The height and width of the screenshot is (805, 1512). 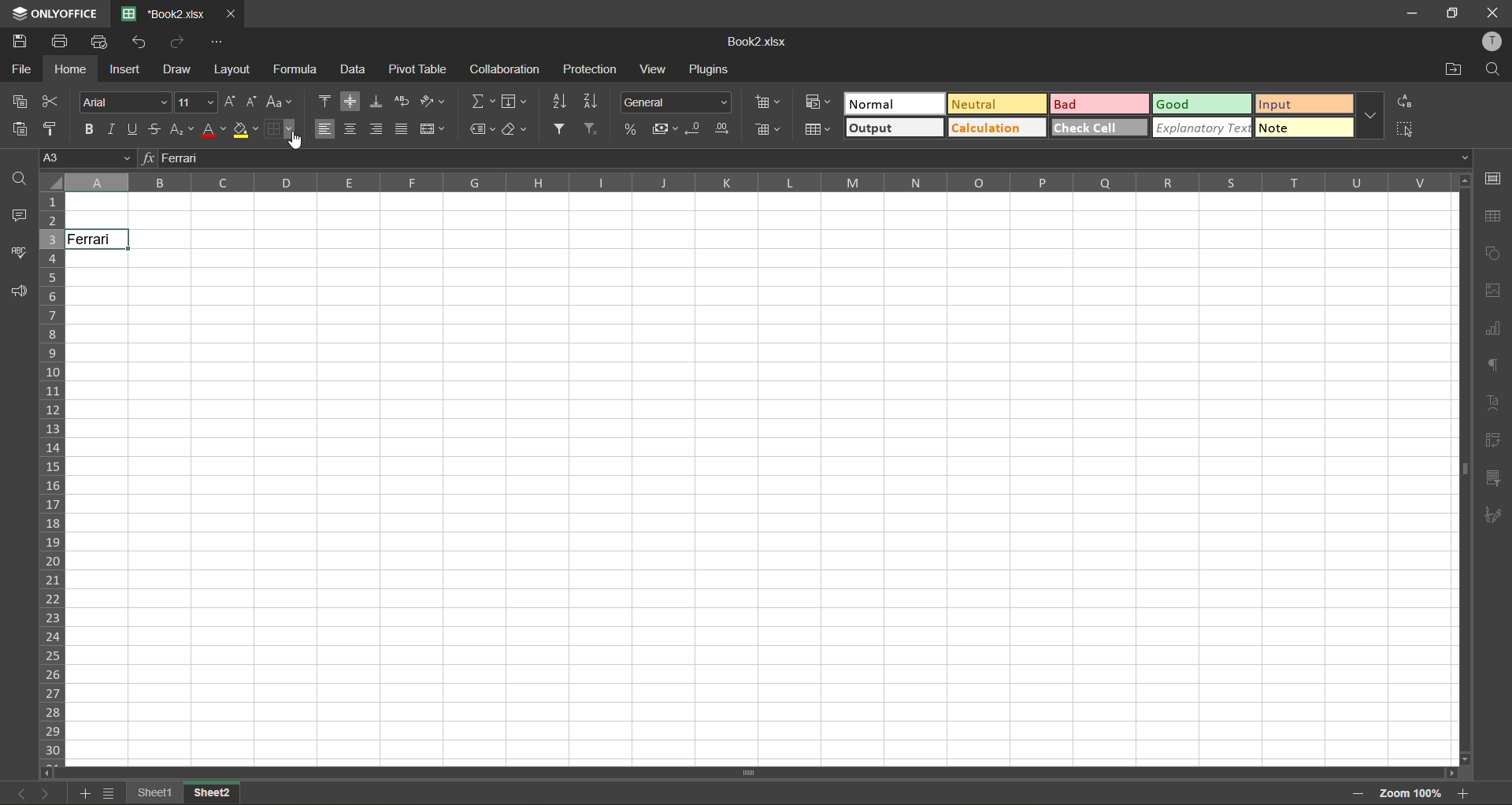 I want to click on fill color, so click(x=246, y=129).